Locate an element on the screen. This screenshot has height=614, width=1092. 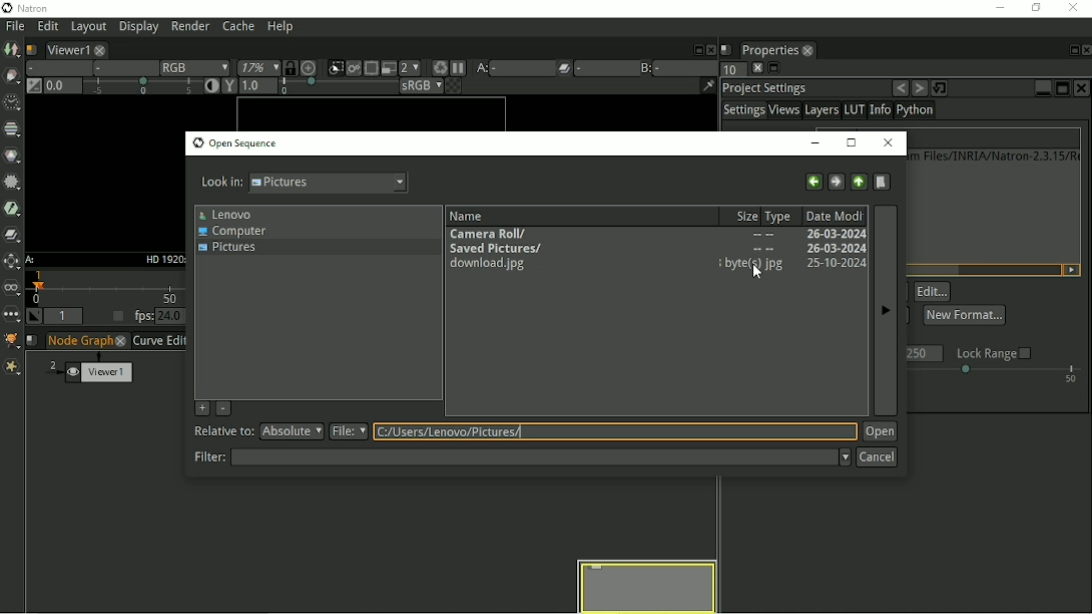
Viewer input A is located at coordinates (500, 68).